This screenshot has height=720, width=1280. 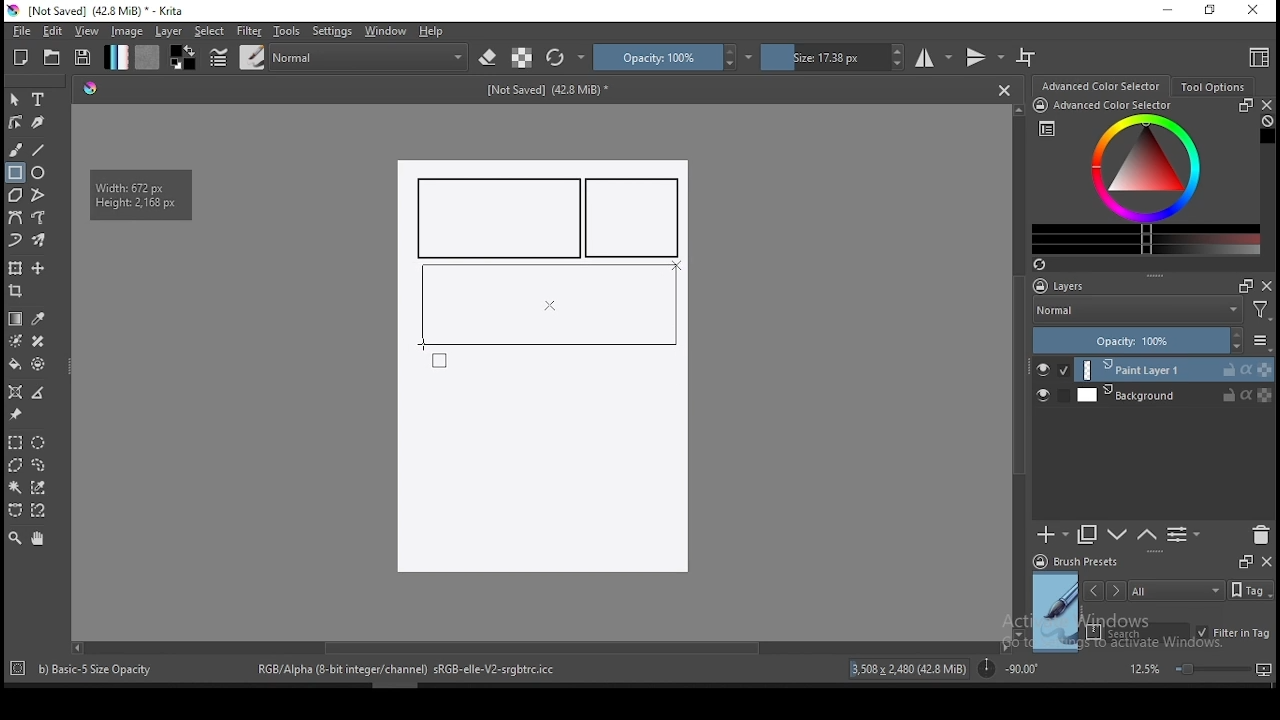 What do you see at coordinates (1175, 370) in the screenshot?
I see `layer` at bounding box center [1175, 370].